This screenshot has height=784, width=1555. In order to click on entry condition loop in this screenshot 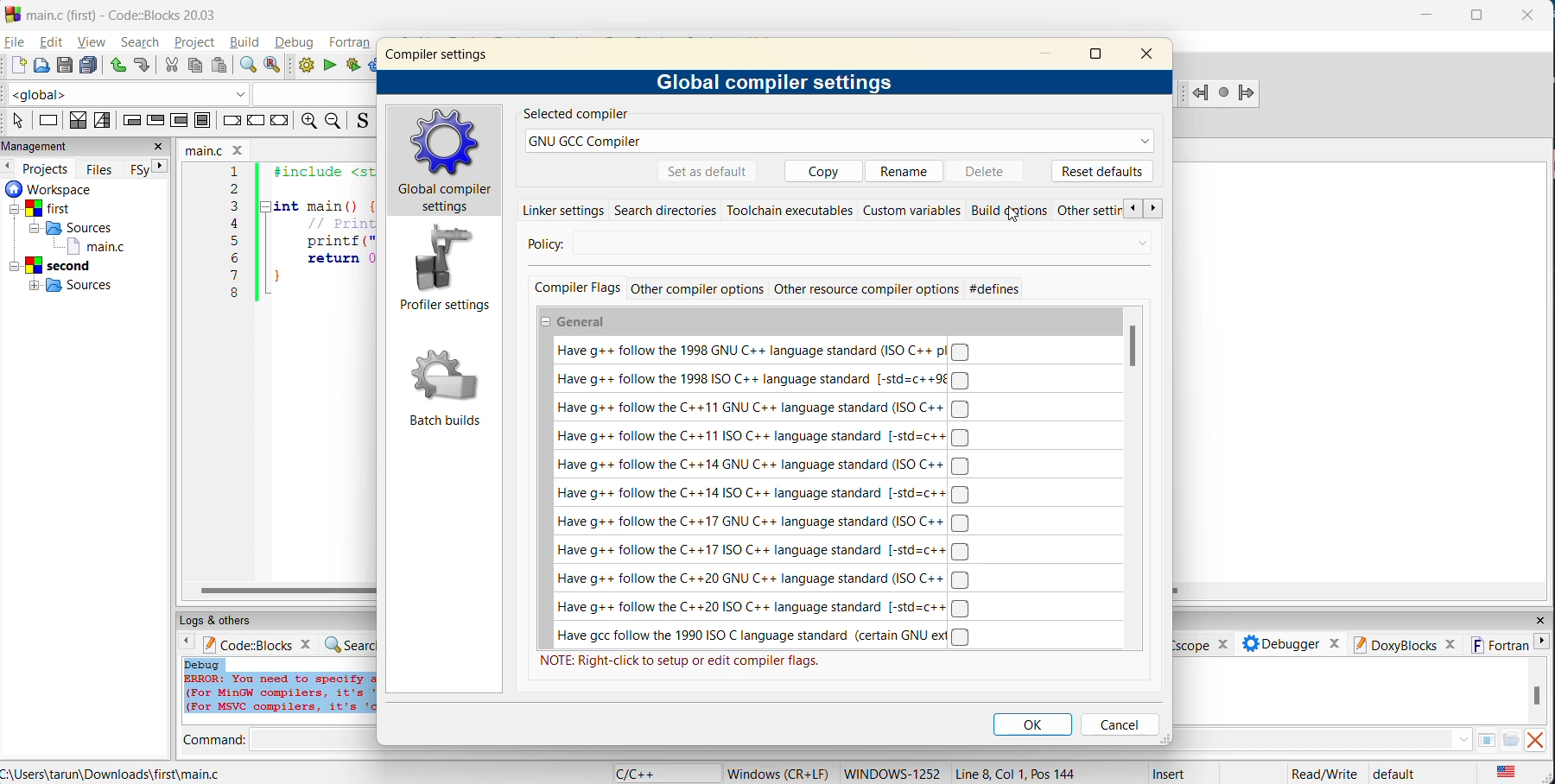, I will do `click(129, 122)`.